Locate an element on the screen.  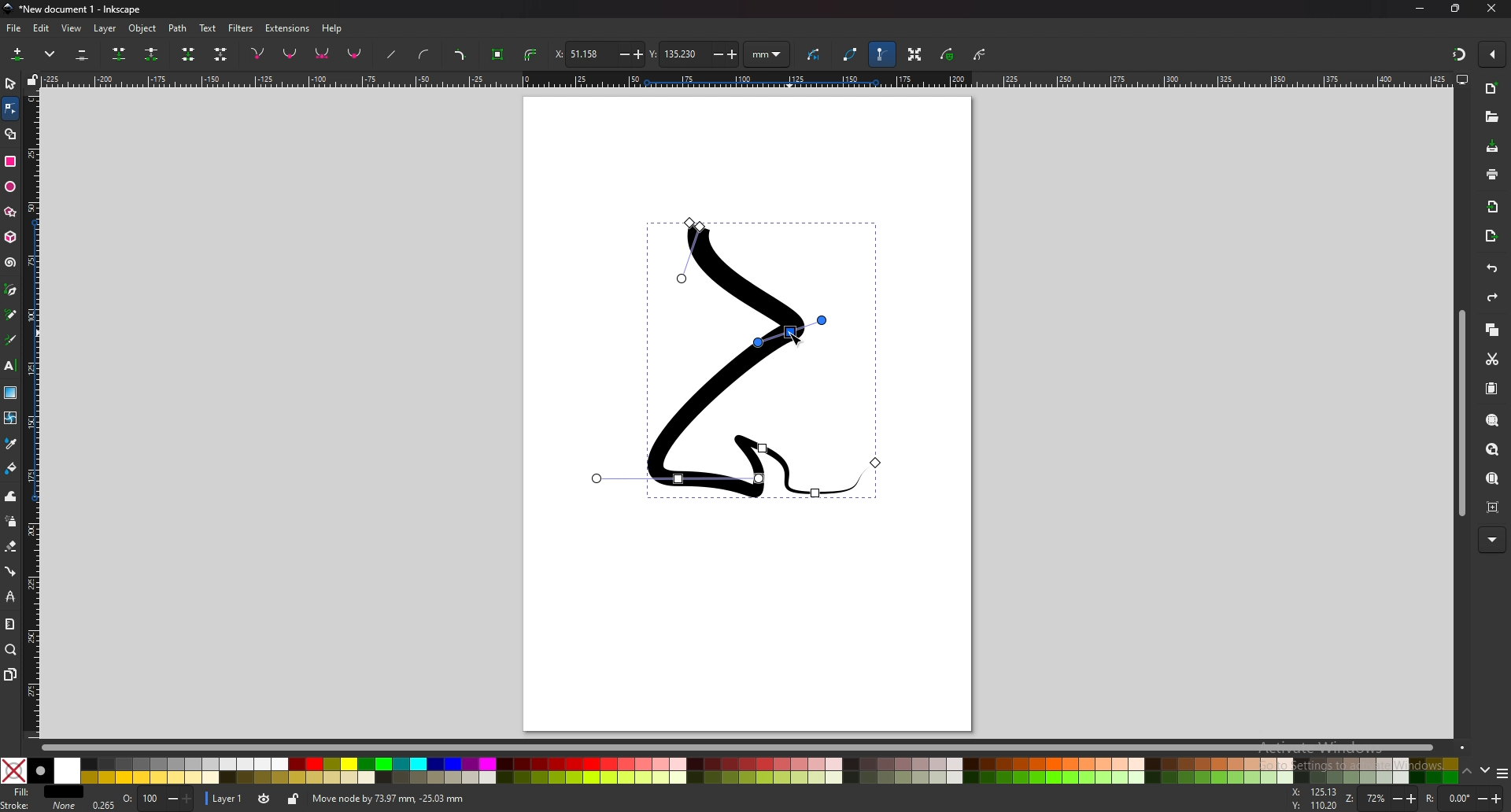
pages is located at coordinates (11, 674).